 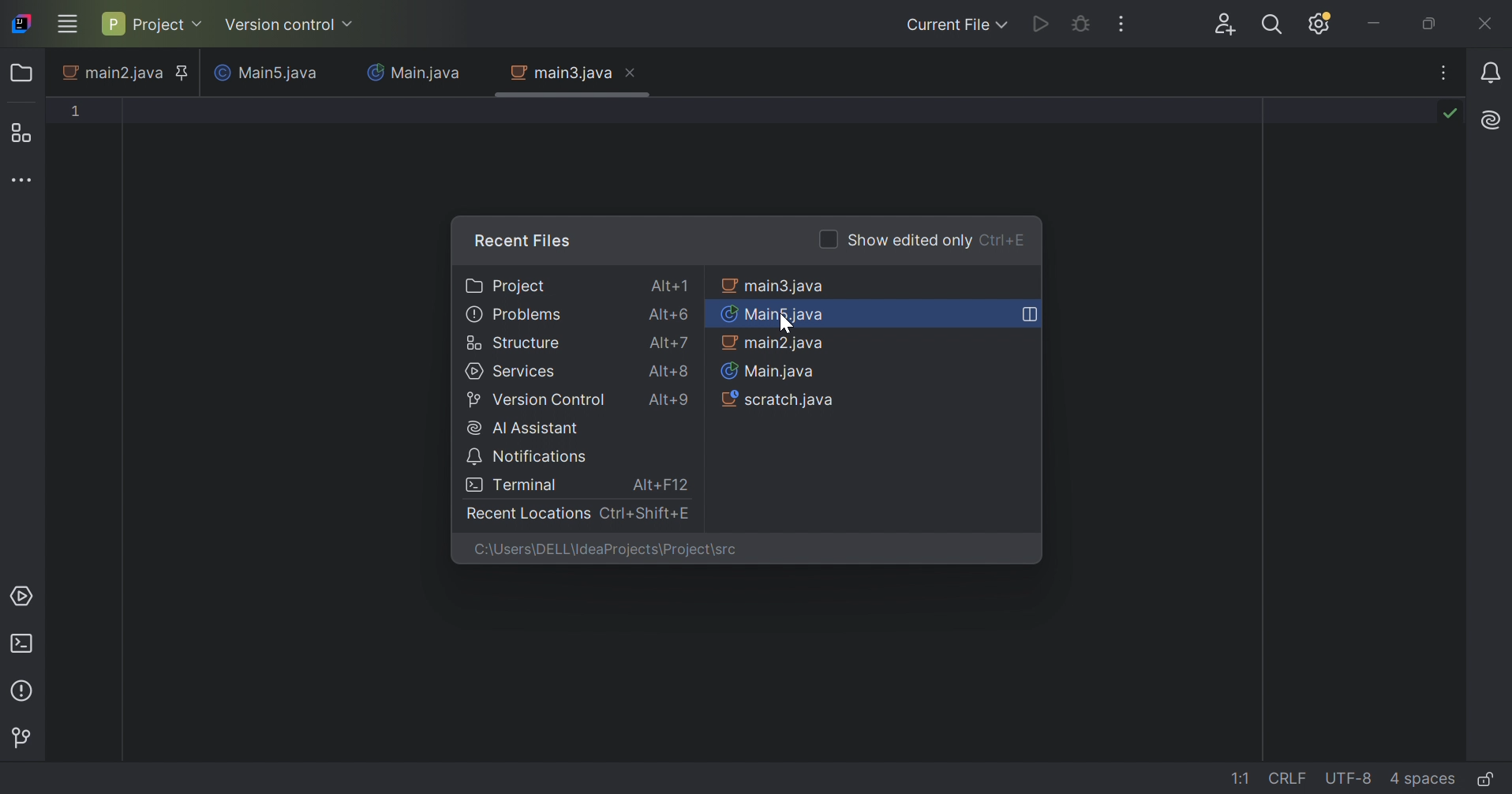 I want to click on Alt+1, so click(x=669, y=286).